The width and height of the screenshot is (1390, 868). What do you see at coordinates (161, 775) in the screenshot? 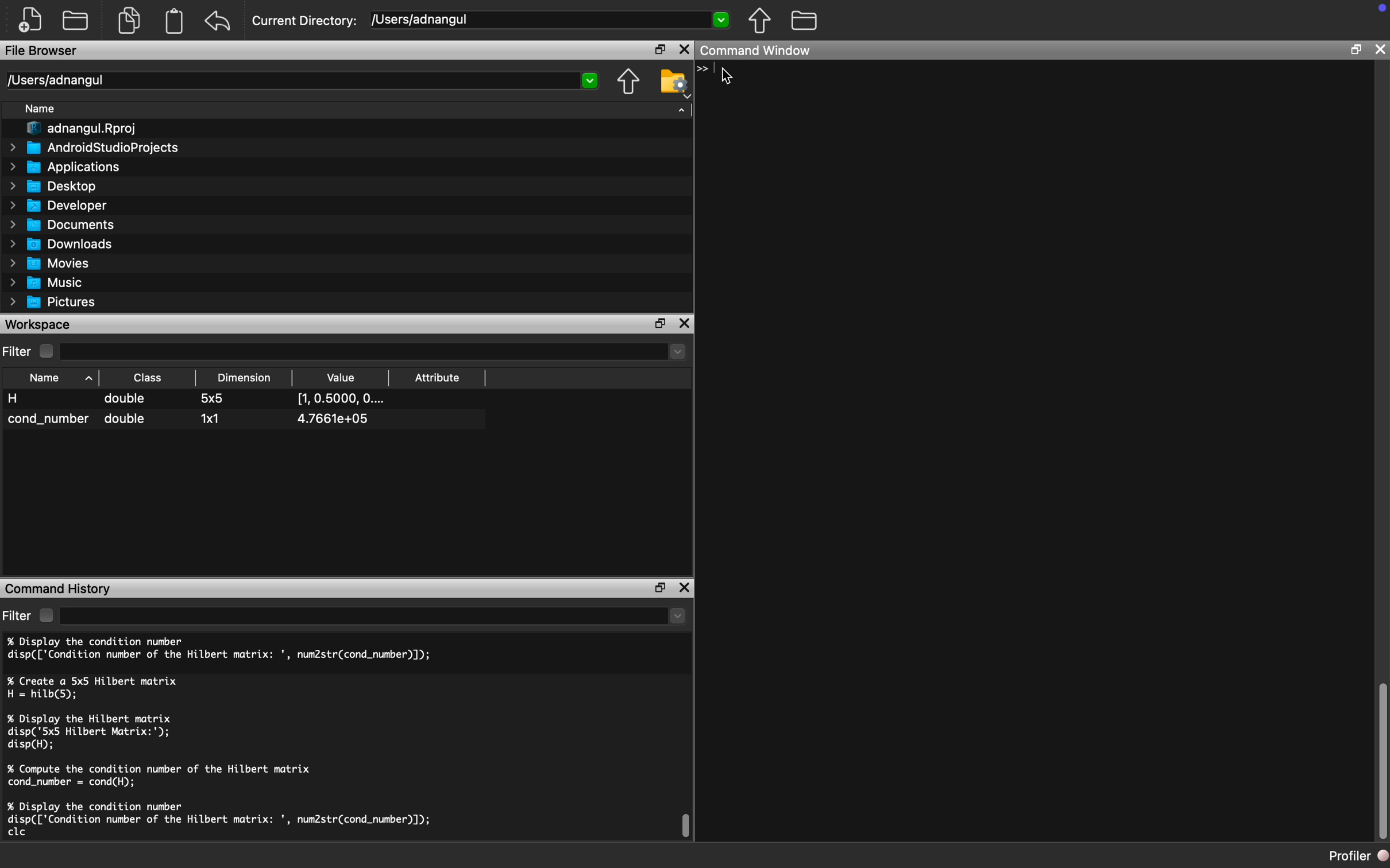
I see `% Compute the condition number of the Hilbert matrix
cond_number = cond(H);` at bounding box center [161, 775].